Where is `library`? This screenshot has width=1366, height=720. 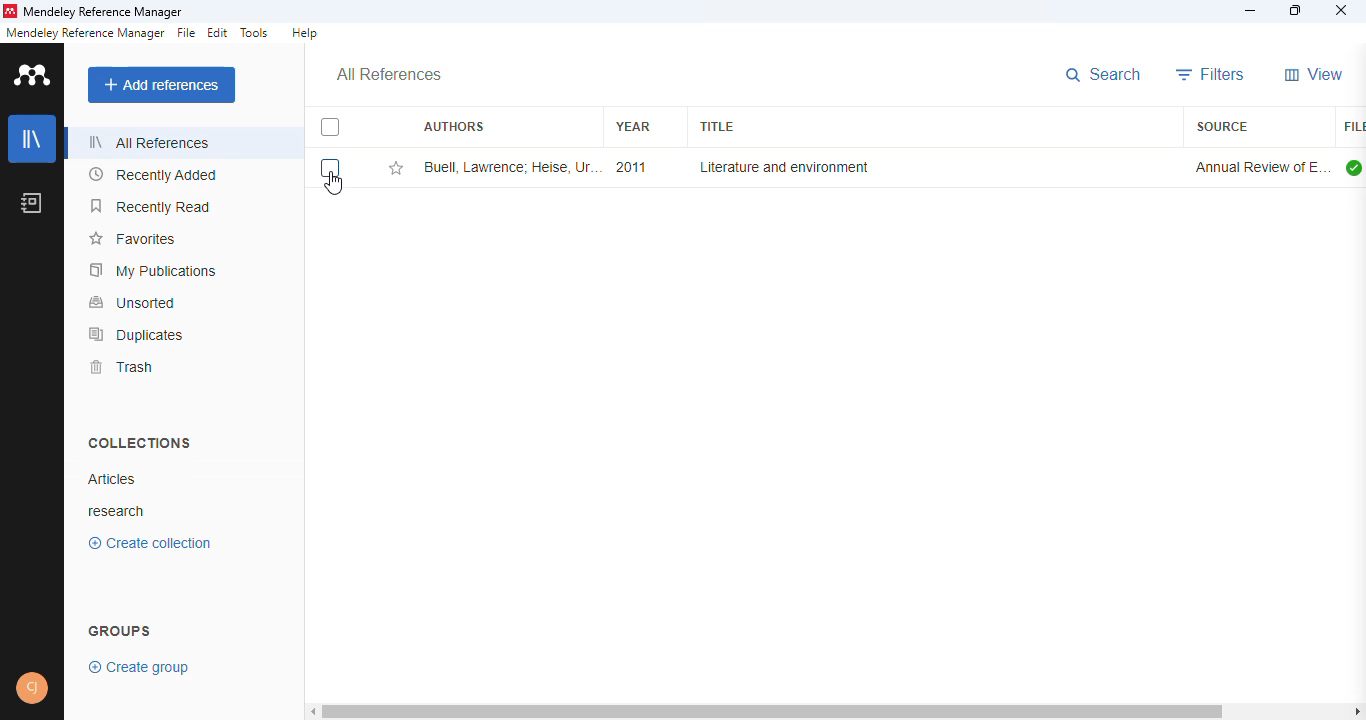 library is located at coordinates (31, 139).